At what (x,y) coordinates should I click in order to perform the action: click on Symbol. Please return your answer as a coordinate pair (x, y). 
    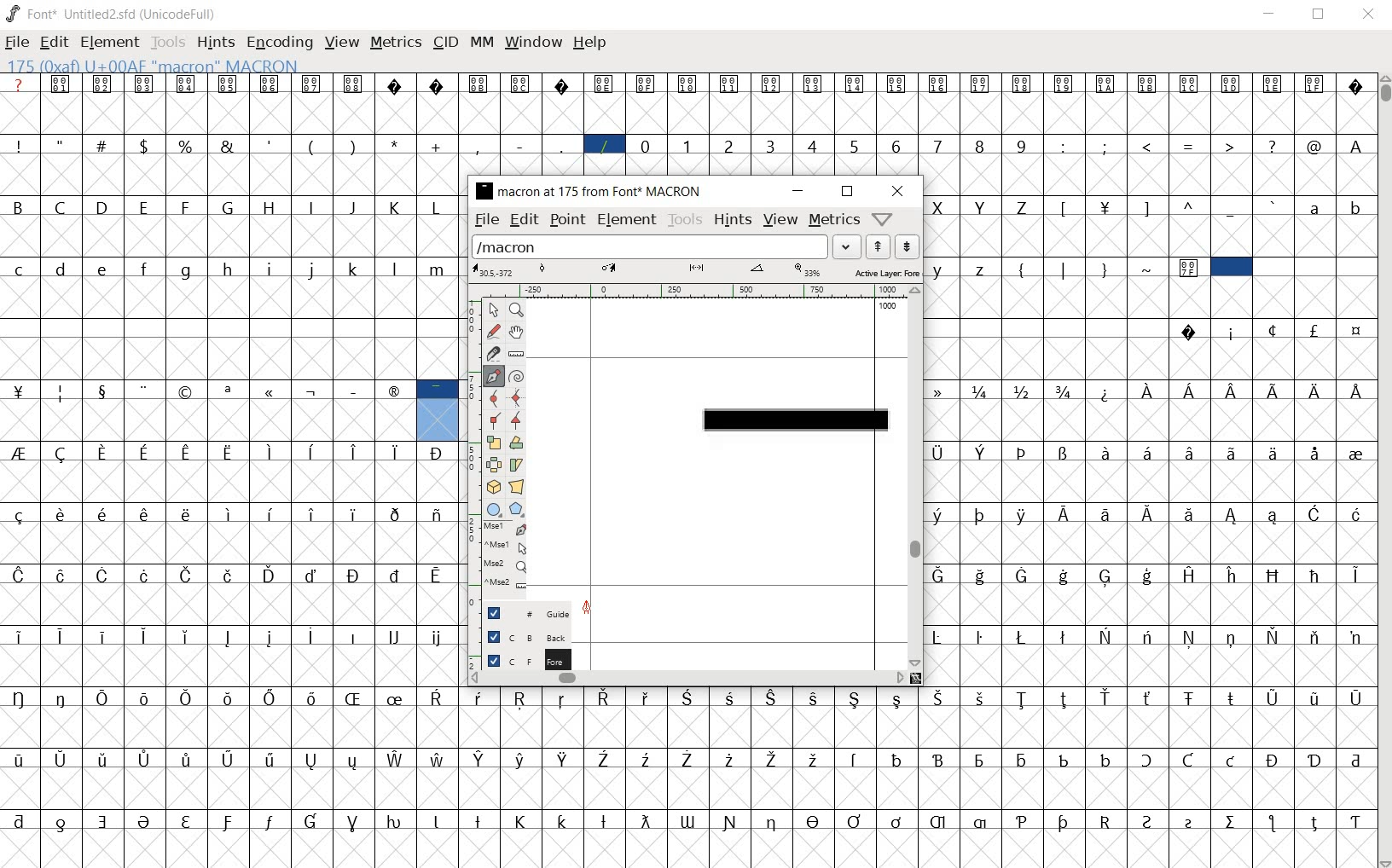
    Looking at the image, I should click on (1230, 451).